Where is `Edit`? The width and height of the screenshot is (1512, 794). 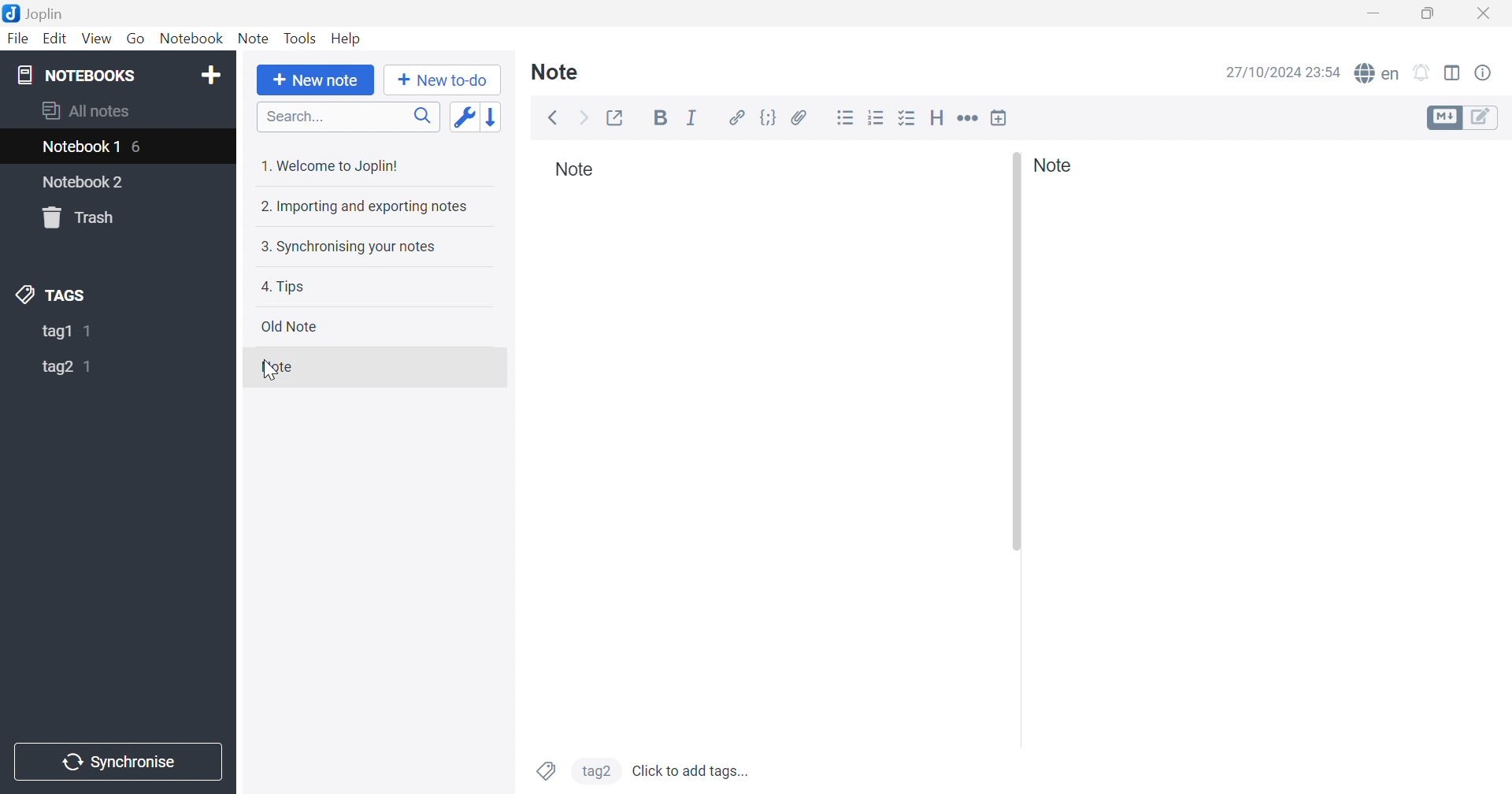
Edit is located at coordinates (56, 41).